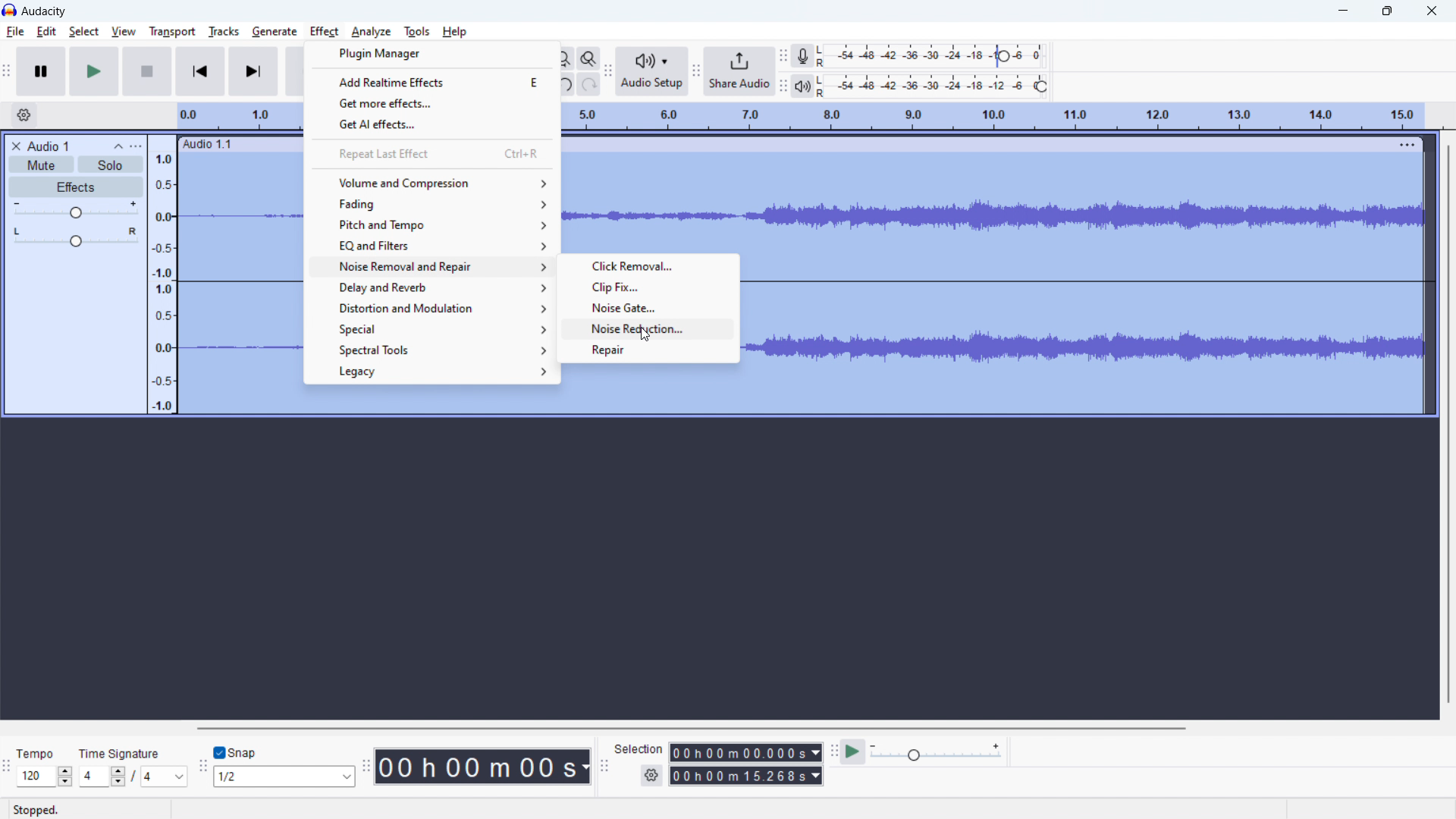 The image size is (1456, 819). I want to click on special, so click(428, 328).